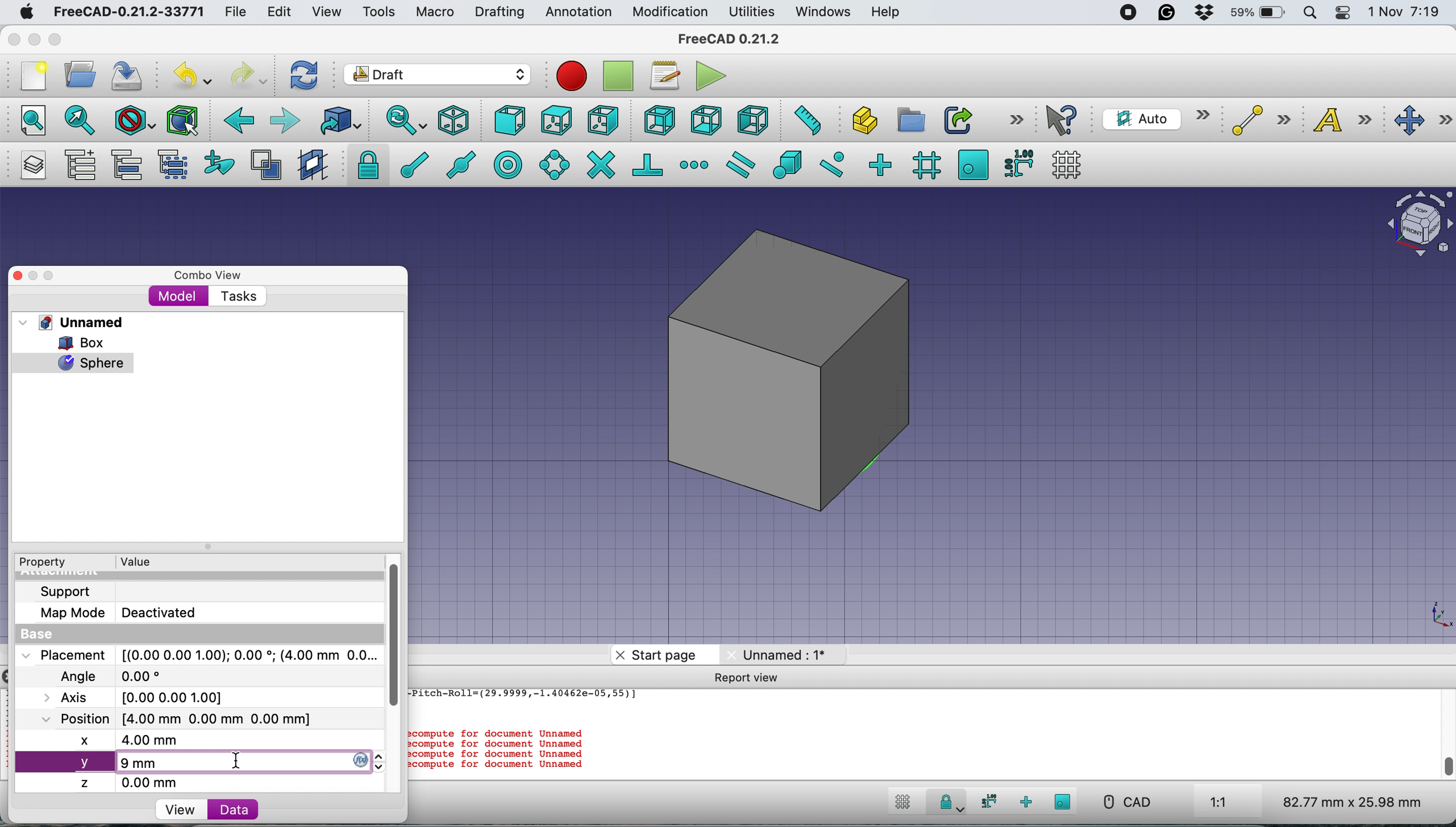 The width and height of the screenshot is (1456, 827). I want to click on move group, so click(130, 165).